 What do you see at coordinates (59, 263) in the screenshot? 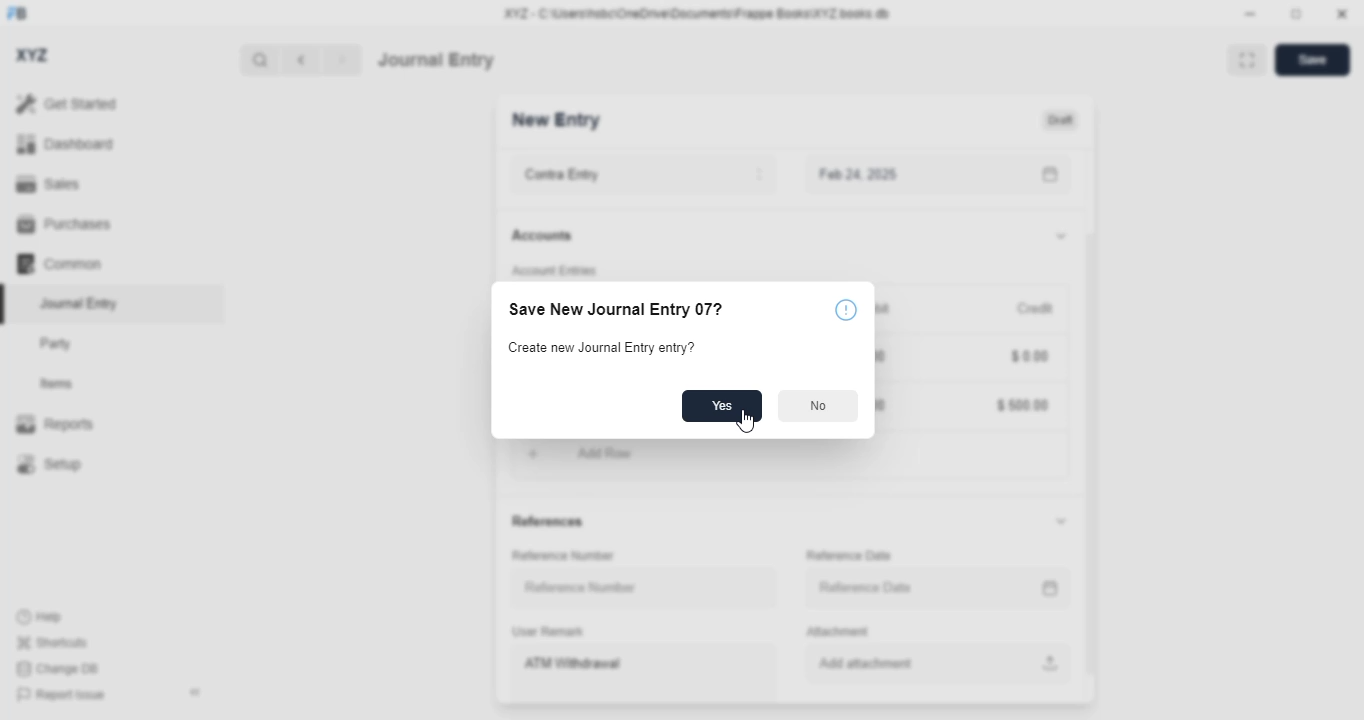
I see `common` at bounding box center [59, 263].